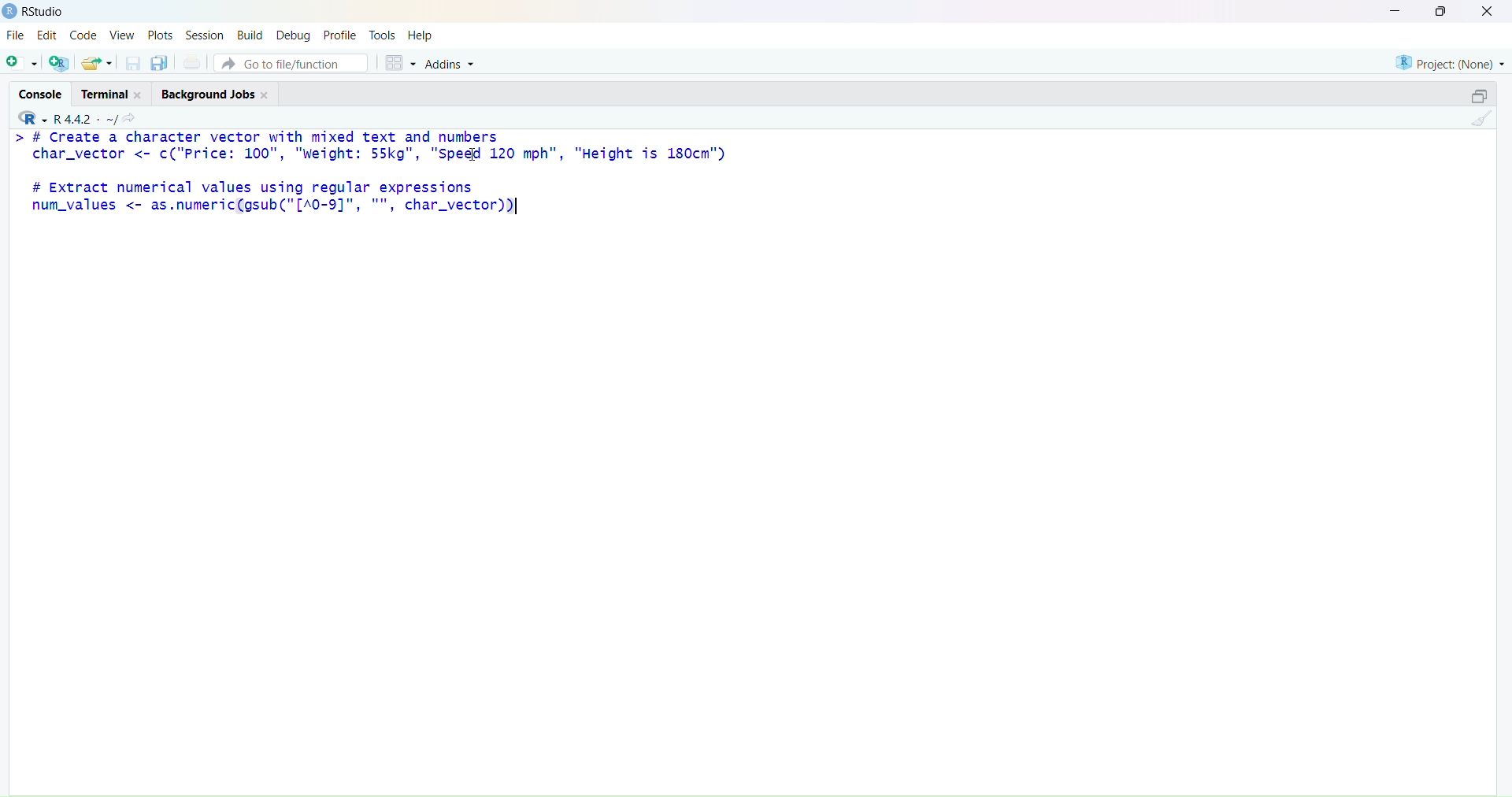 The height and width of the screenshot is (797, 1512). What do you see at coordinates (401, 63) in the screenshot?
I see `grid view` at bounding box center [401, 63].